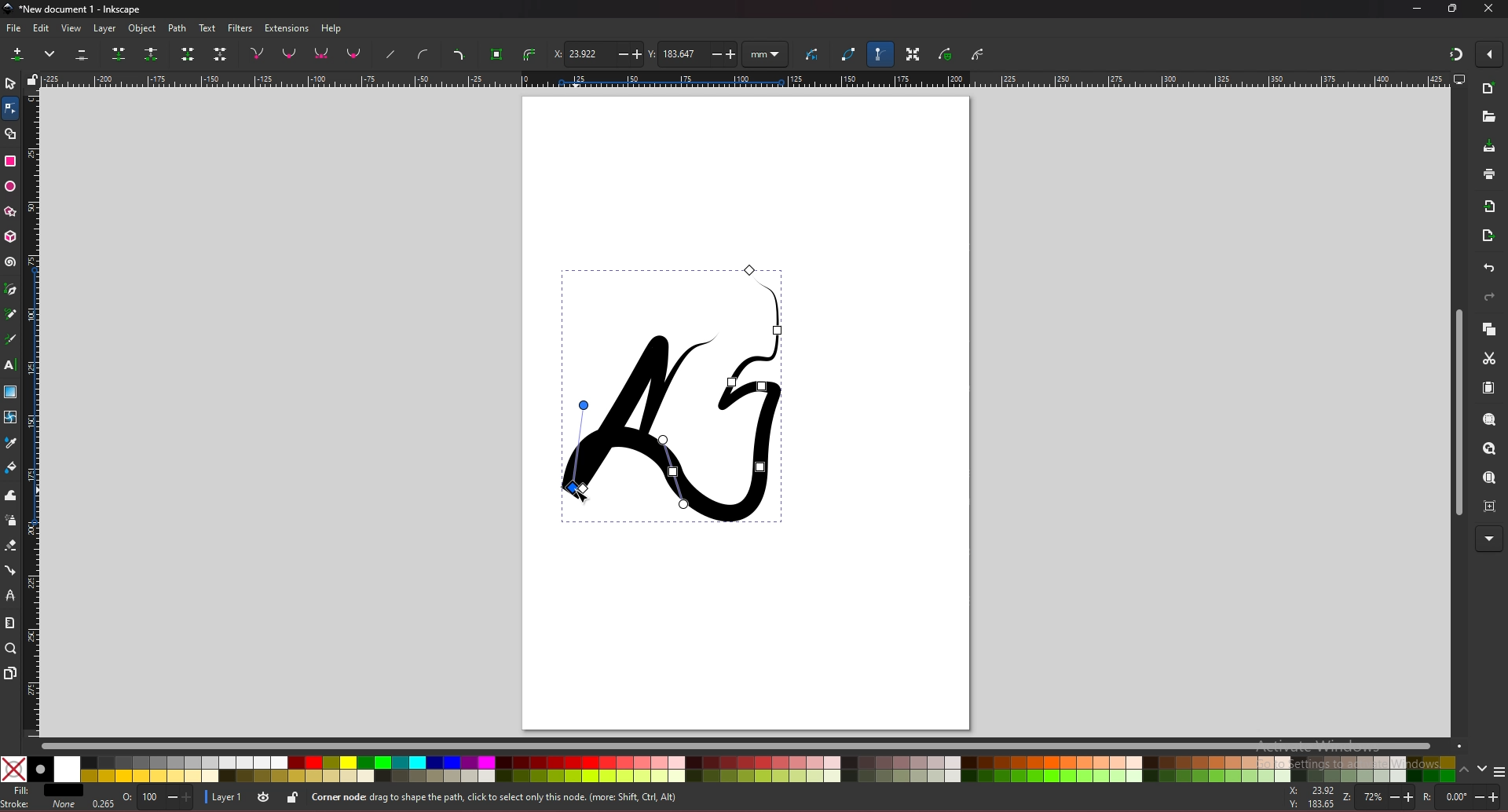 The height and width of the screenshot is (812, 1508). Describe the element at coordinates (257, 53) in the screenshot. I see `node corner` at that location.